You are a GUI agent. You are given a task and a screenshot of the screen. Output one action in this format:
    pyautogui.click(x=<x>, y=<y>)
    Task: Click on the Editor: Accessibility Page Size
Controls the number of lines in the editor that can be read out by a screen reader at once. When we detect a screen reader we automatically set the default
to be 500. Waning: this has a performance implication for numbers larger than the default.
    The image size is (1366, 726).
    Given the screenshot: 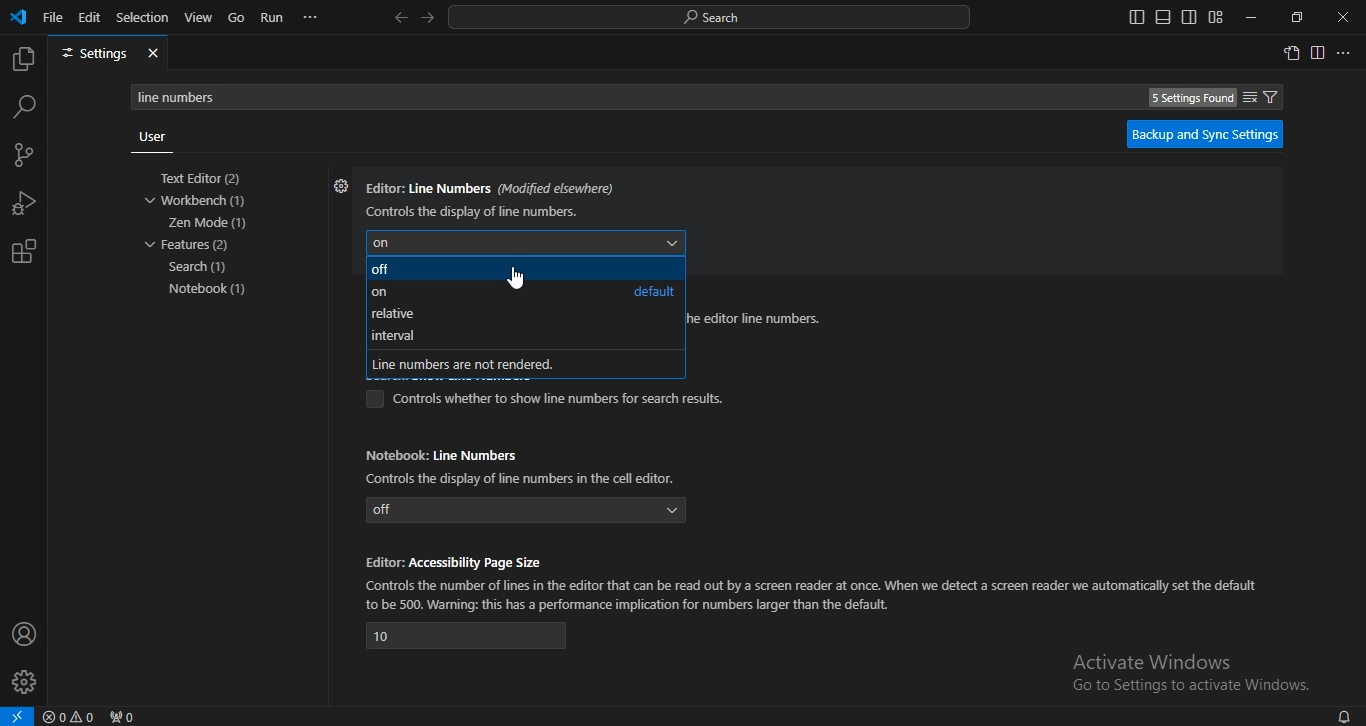 What is the action you would take?
    pyautogui.click(x=814, y=581)
    